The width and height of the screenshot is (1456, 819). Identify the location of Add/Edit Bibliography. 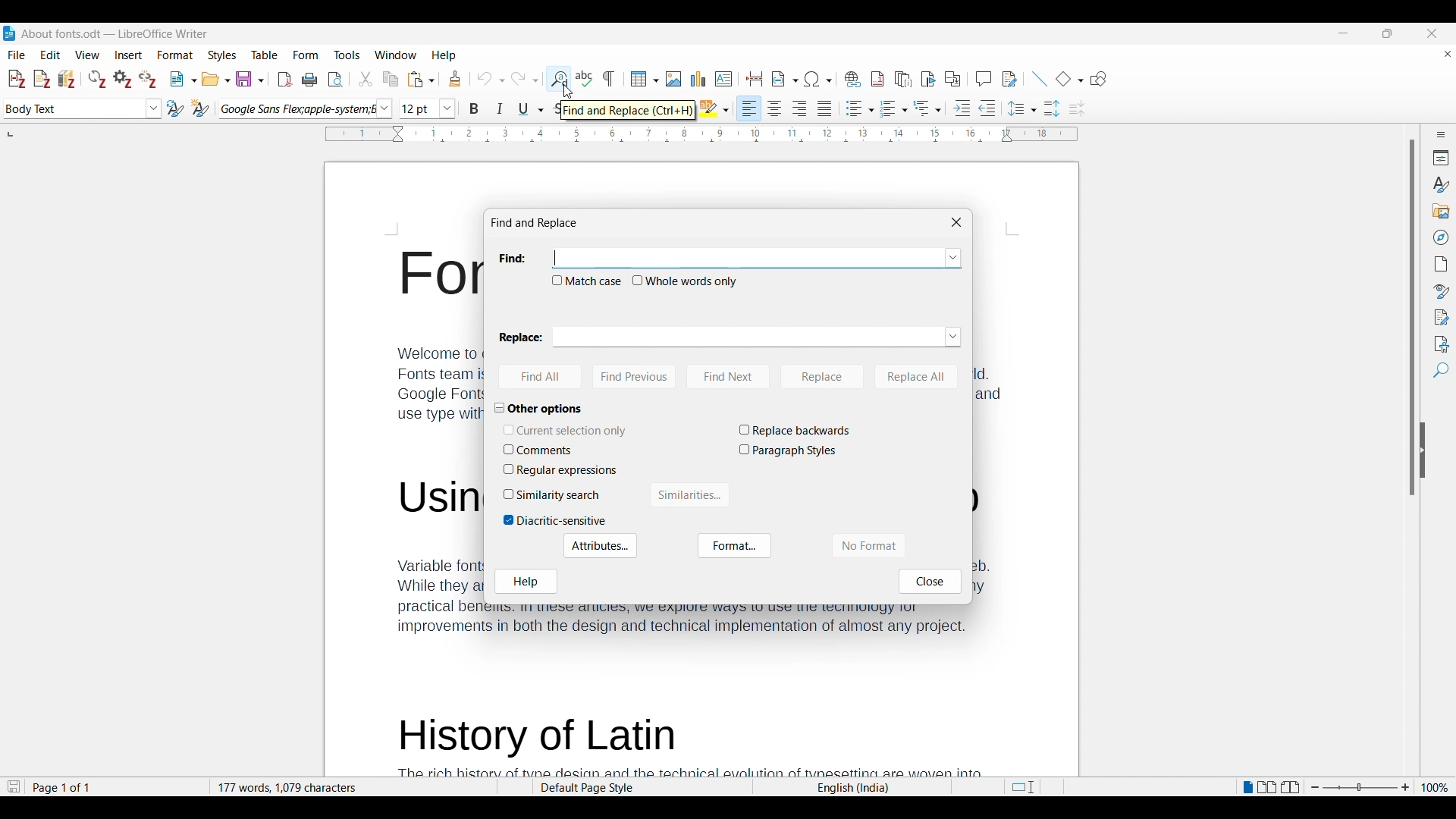
(67, 79).